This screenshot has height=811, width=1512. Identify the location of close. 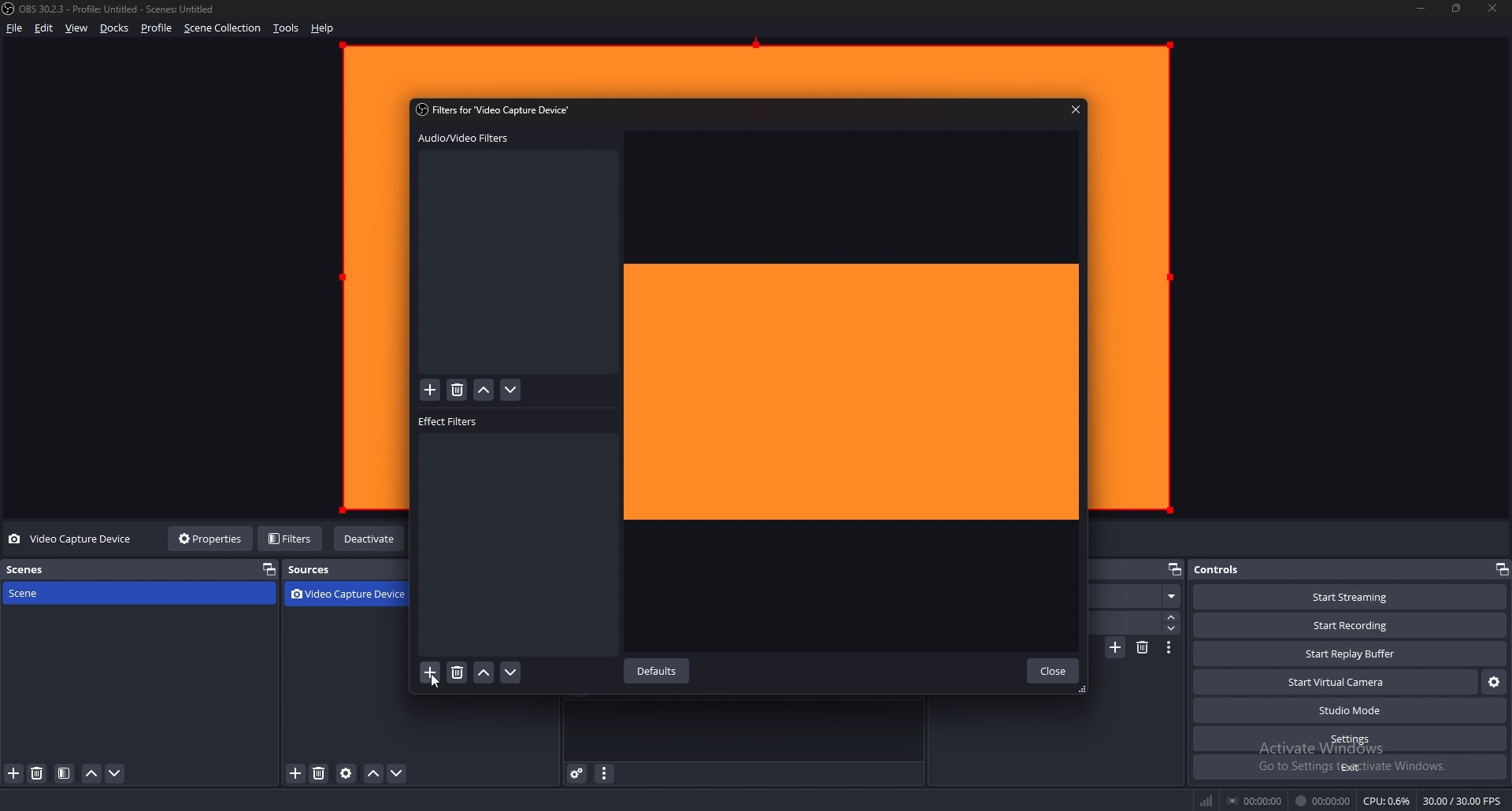
(1052, 671).